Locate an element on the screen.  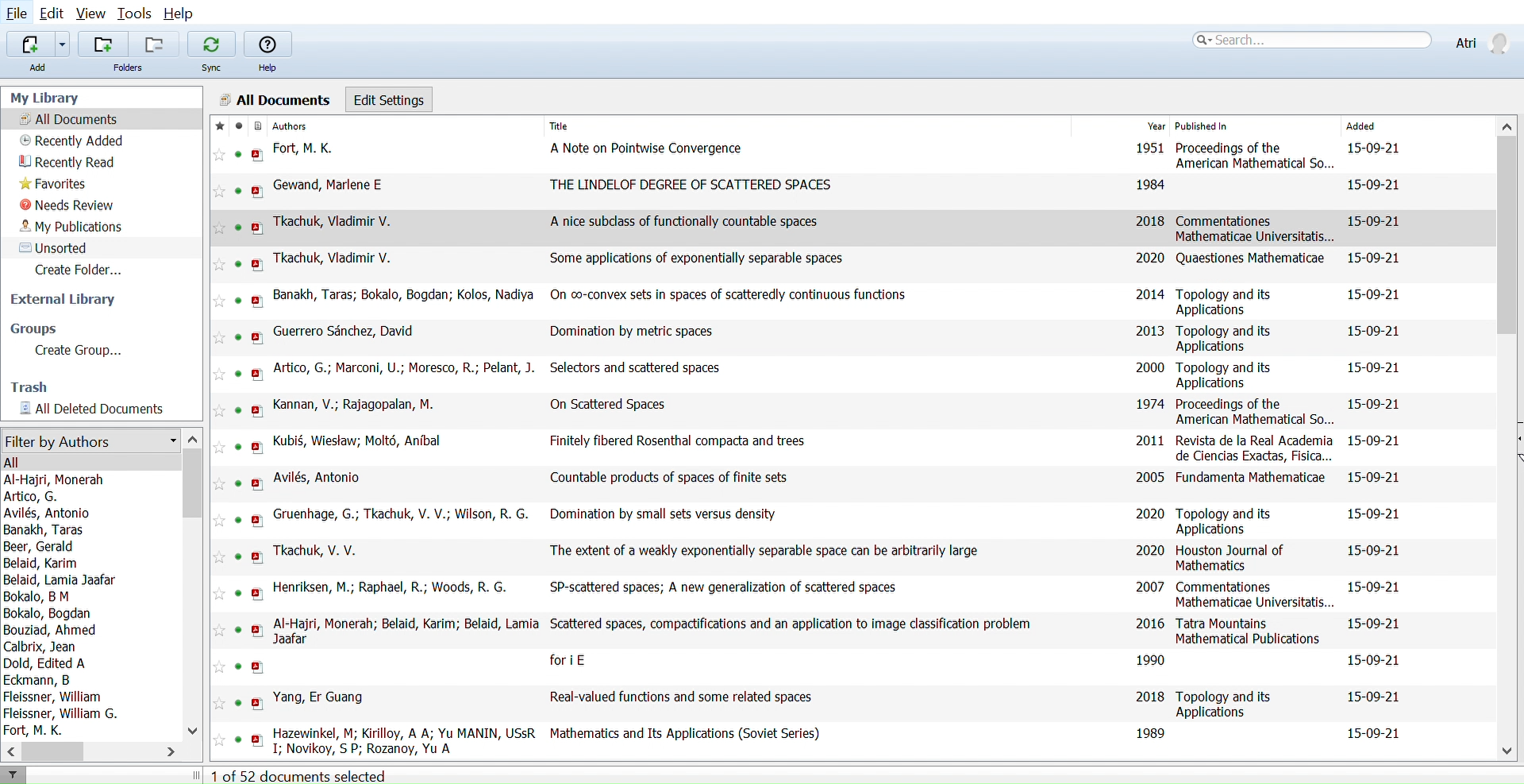
Kannan, V.; Rajagopalan, M. is located at coordinates (352, 405).